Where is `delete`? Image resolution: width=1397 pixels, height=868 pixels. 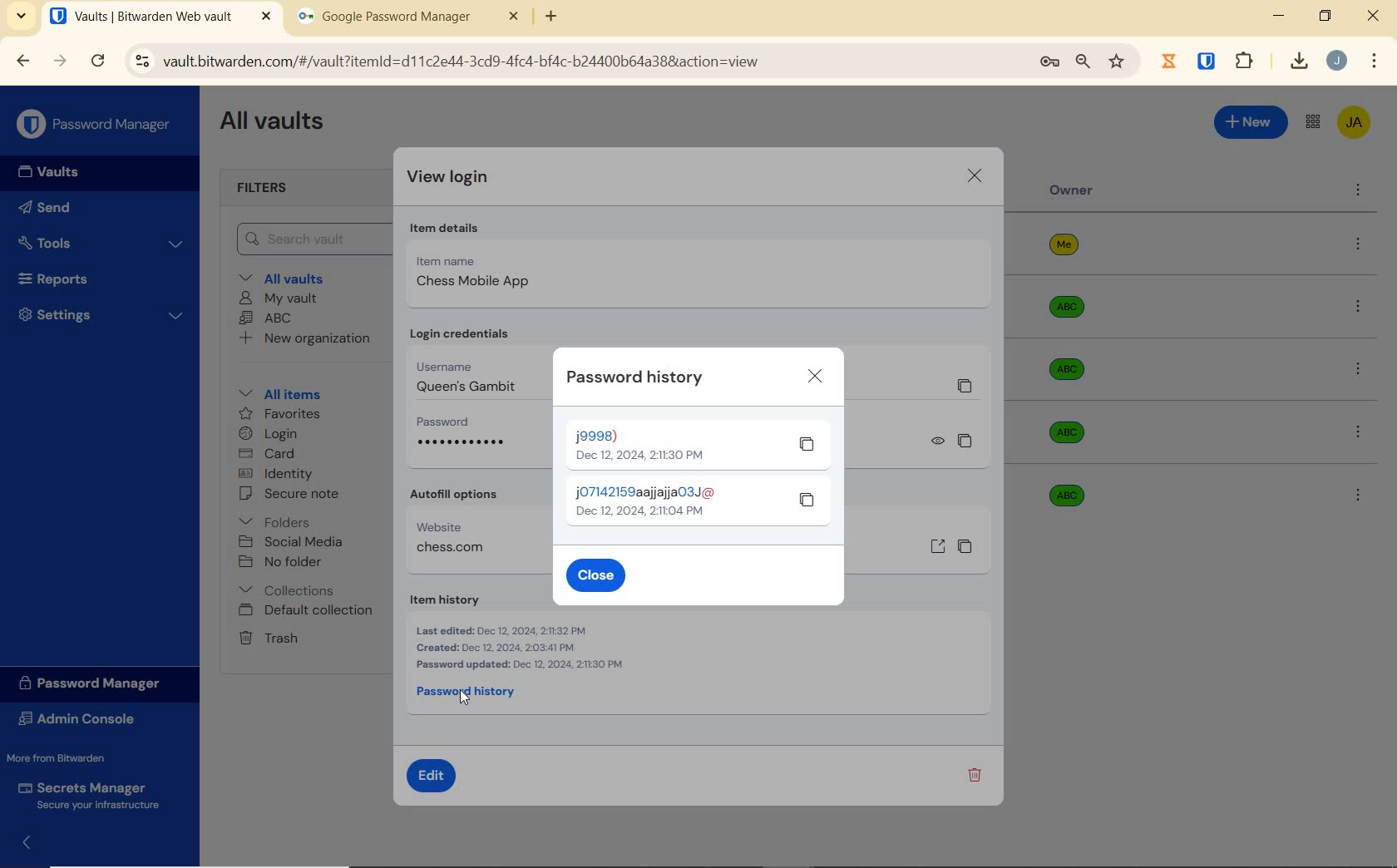 delete is located at coordinates (974, 776).